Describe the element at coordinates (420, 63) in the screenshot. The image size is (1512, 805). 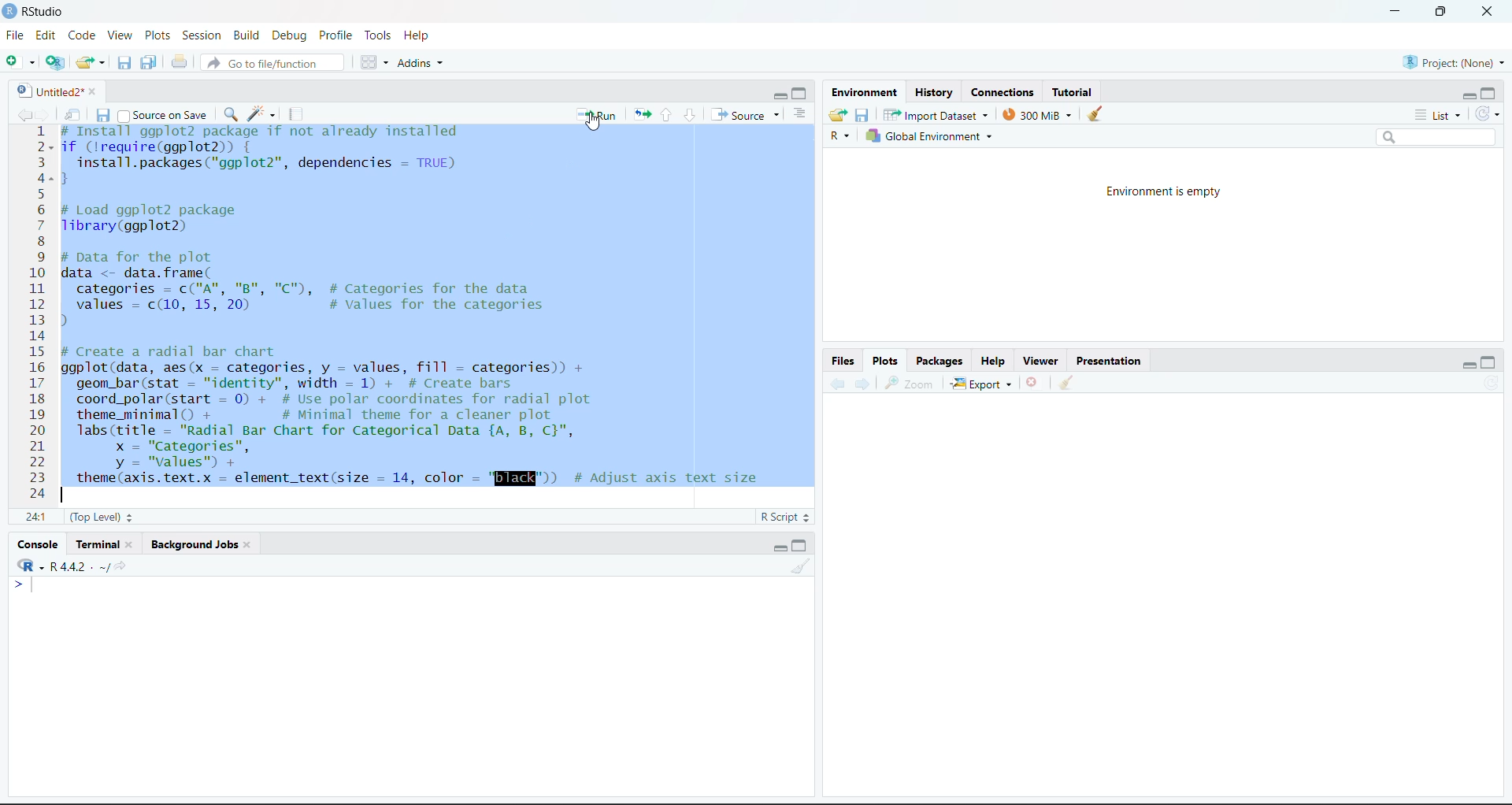
I see ` Addins ` at that location.